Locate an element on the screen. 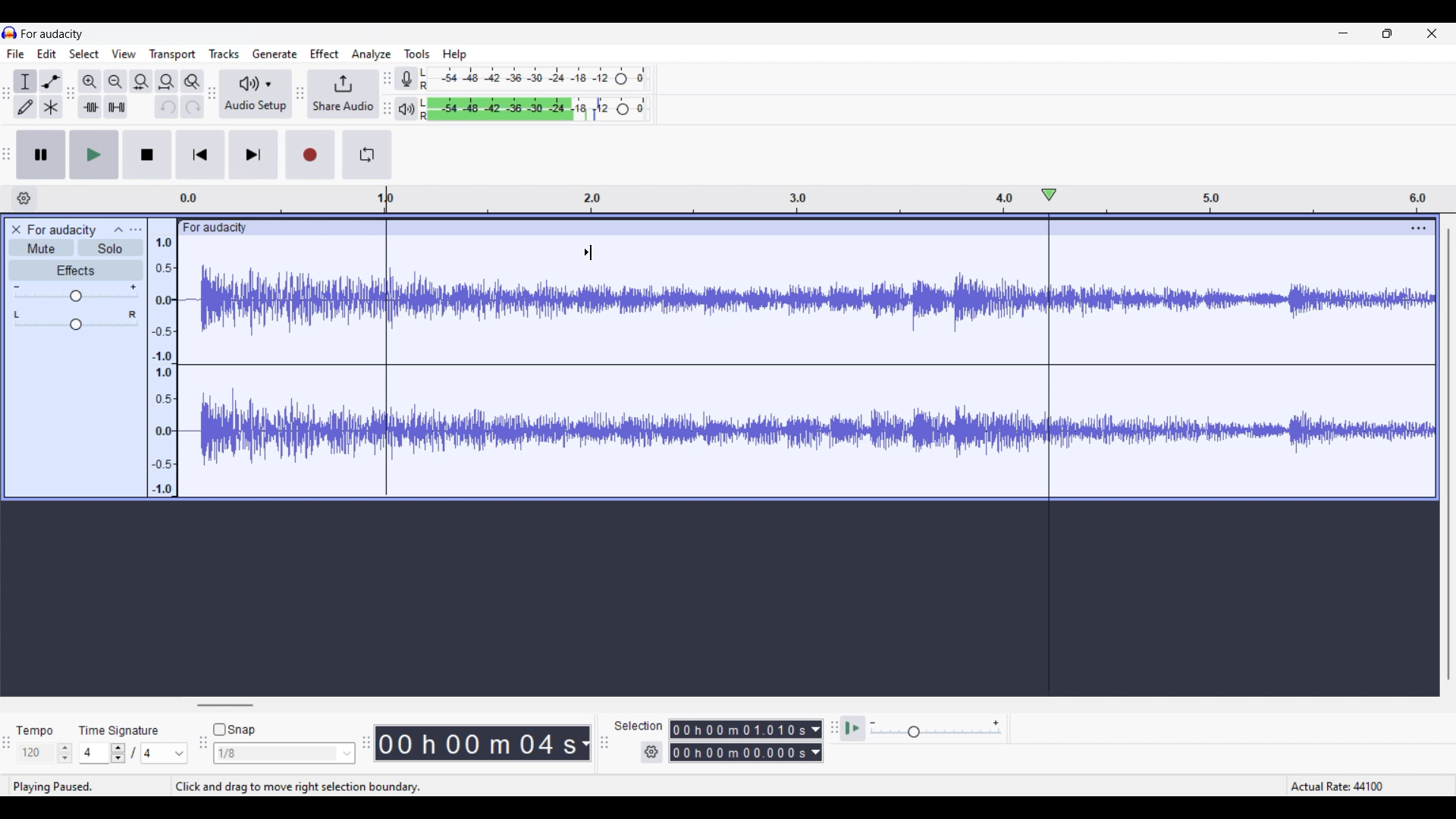 Image resolution: width=1456 pixels, height=819 pixels. Fit track to width is located at coordinates (167, 82).